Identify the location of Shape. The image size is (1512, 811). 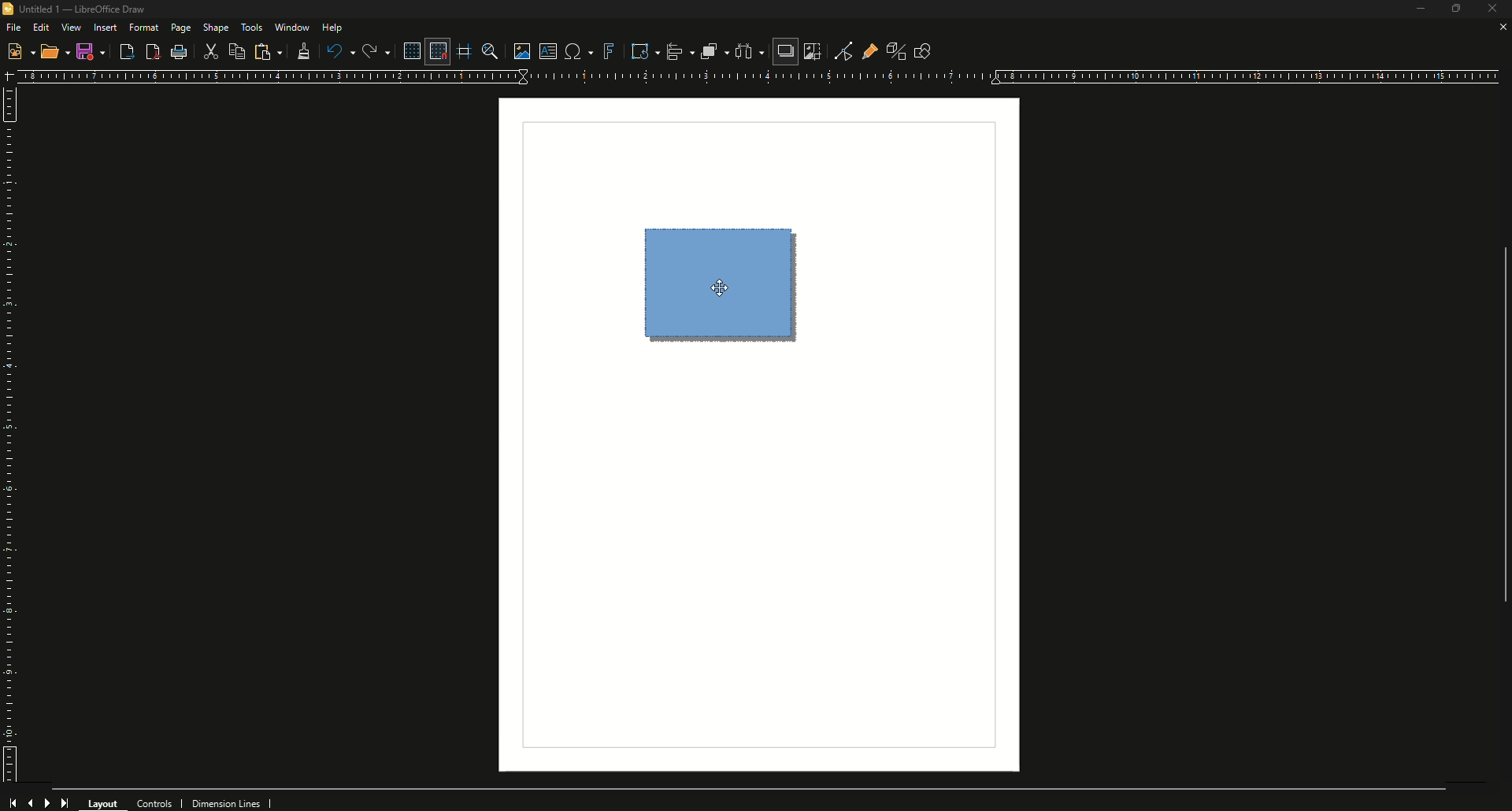
(217, 28).